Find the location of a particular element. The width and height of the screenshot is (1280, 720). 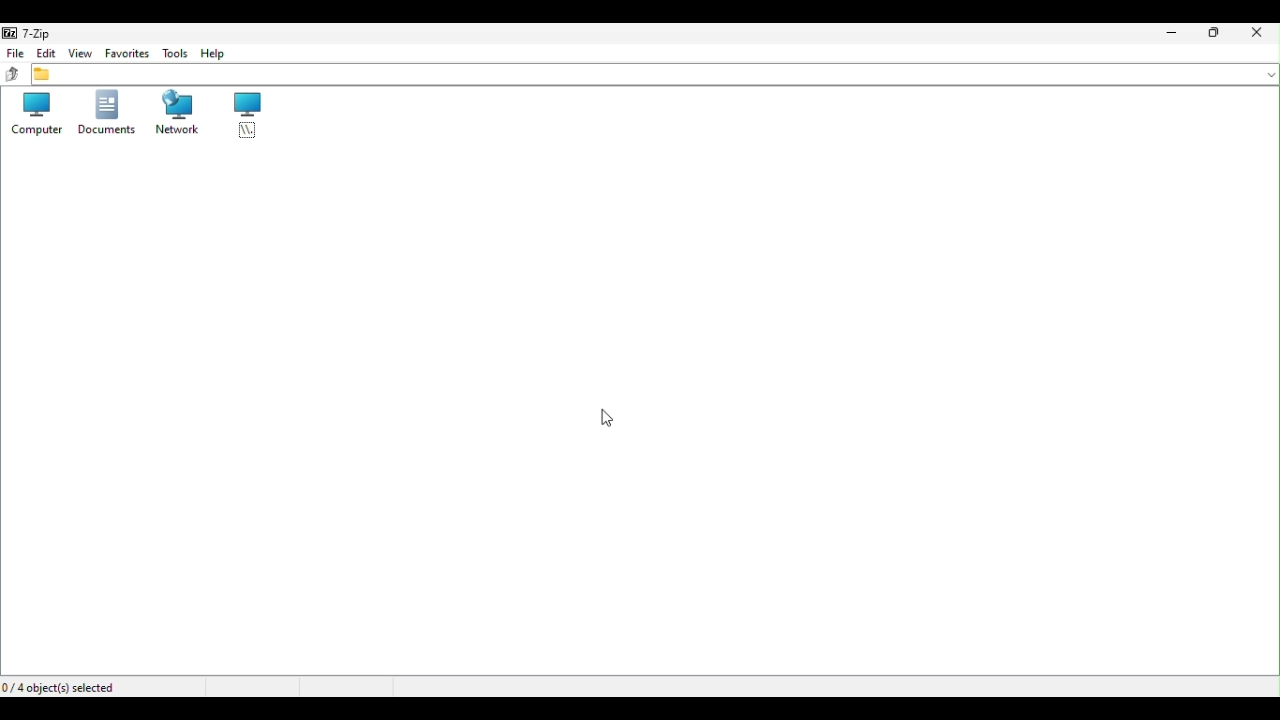

Documents is located at coordinates (103, 112).